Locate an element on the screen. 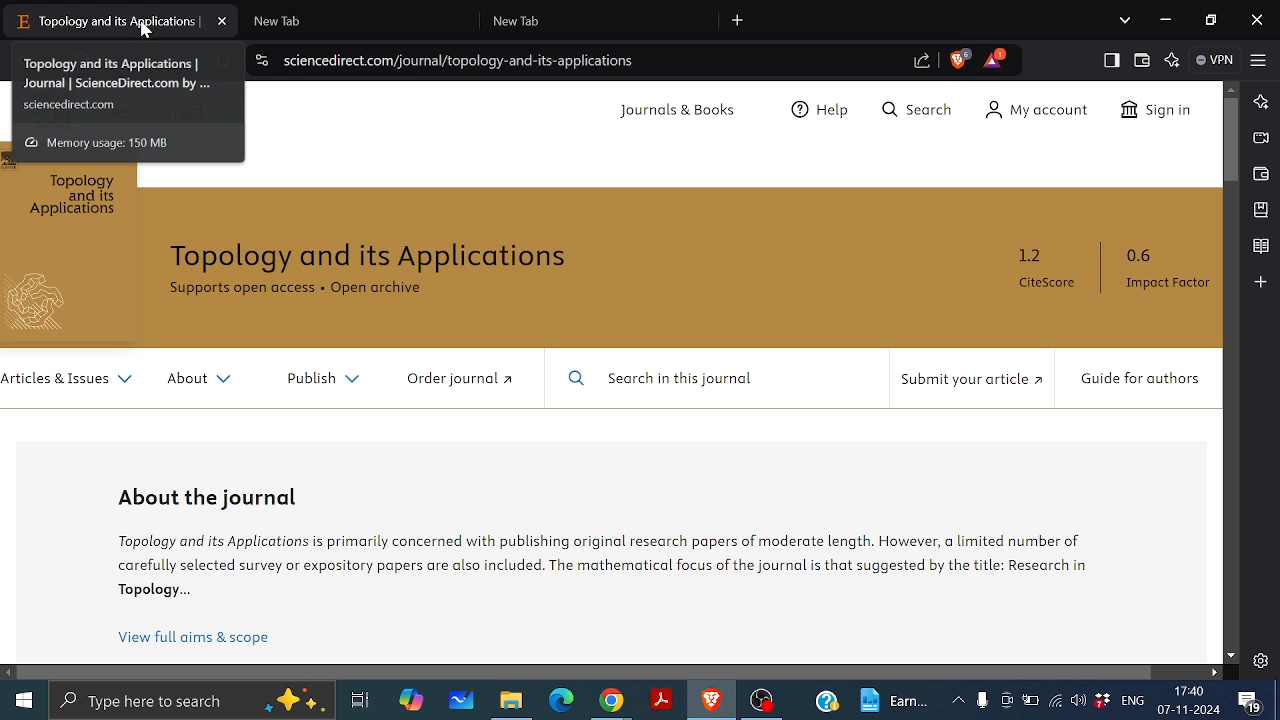  Site information is located at coordinates (261, 59).